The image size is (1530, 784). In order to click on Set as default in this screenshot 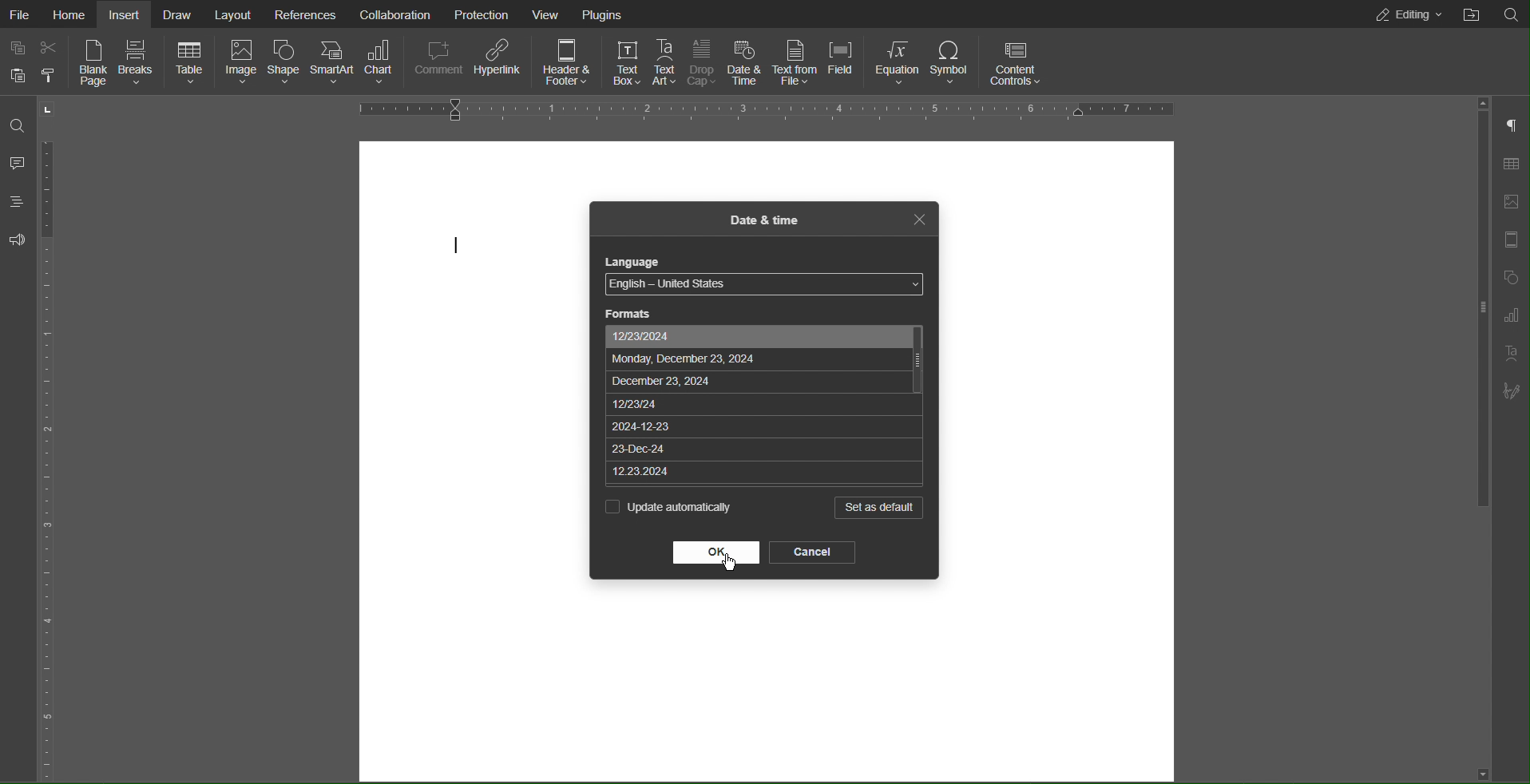, I will do `click(877, 509)`.